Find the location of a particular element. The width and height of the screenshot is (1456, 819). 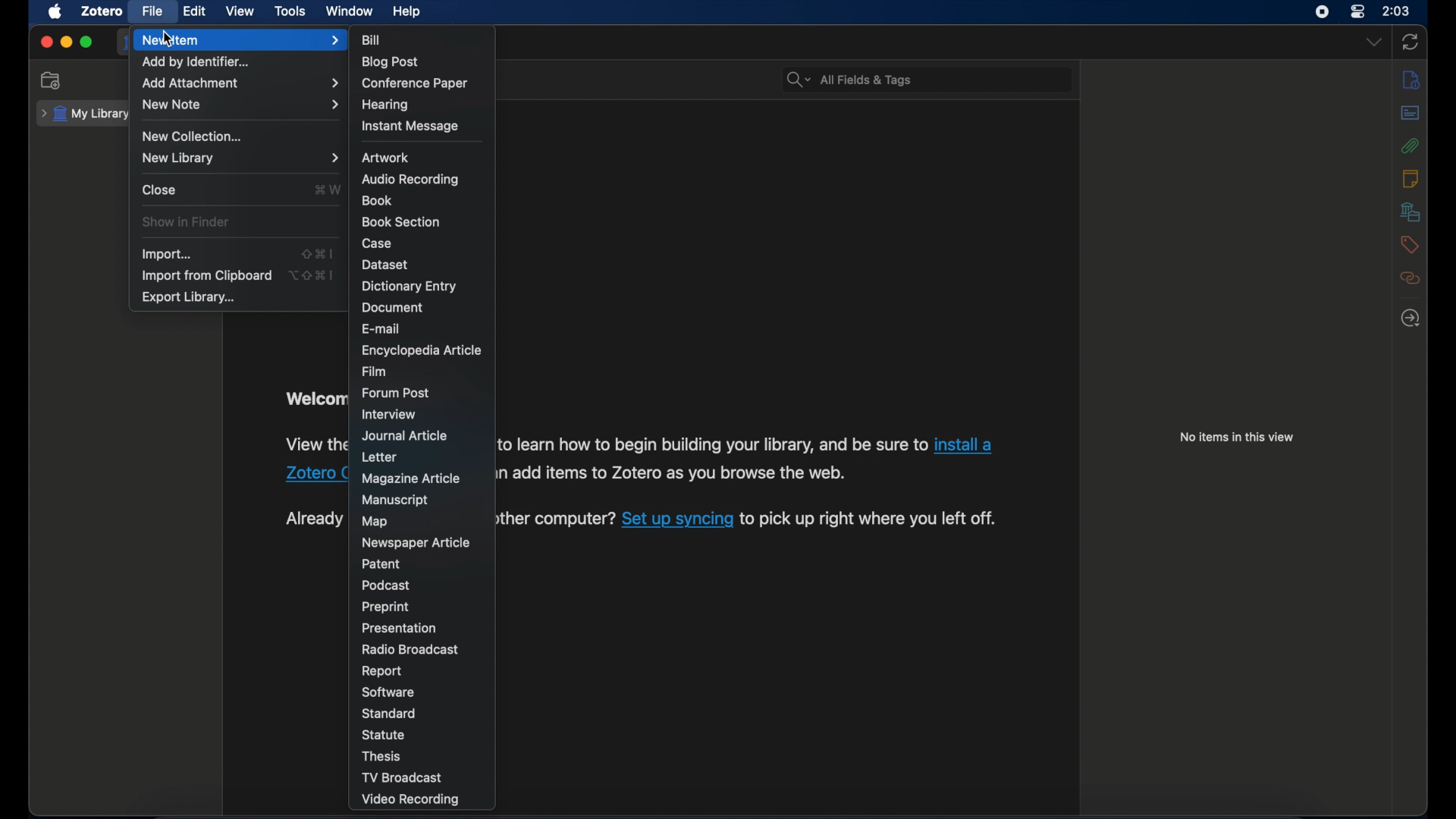

patent is located at coordinates (381, 563).